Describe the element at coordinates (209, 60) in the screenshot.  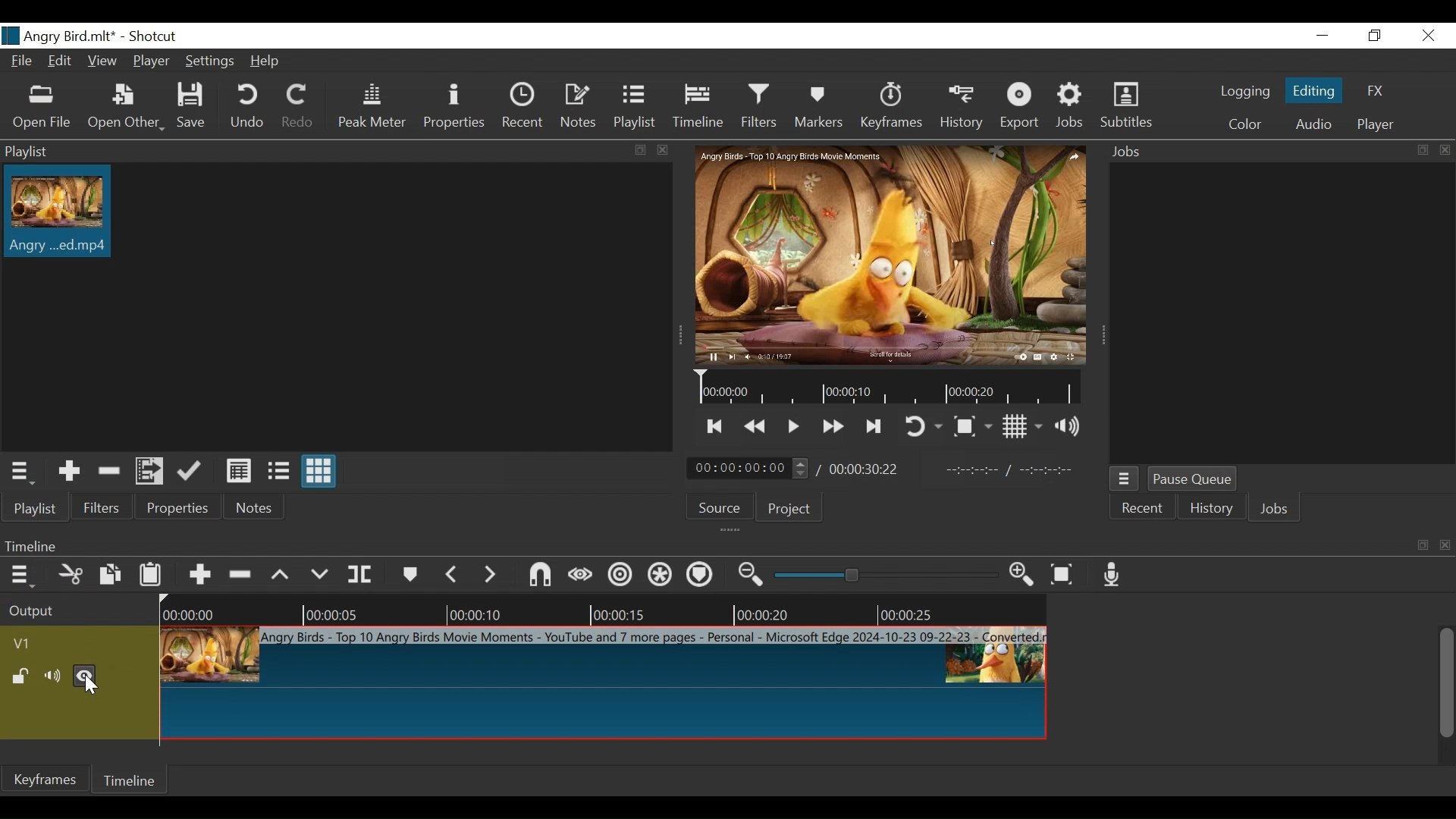
I see `Settings` at that location.